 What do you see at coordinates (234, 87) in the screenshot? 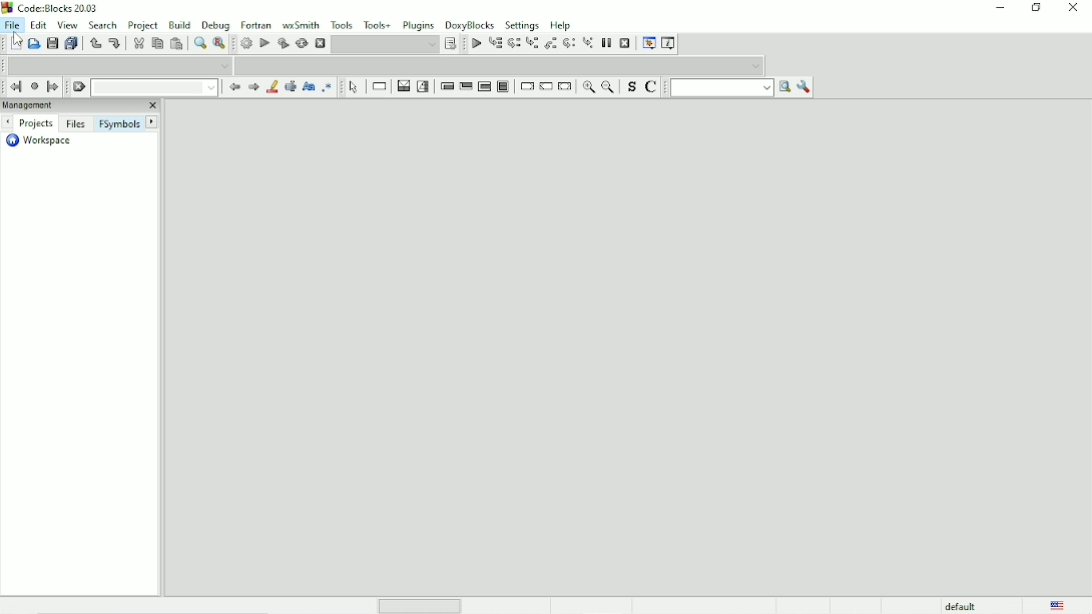
I see `Prev` at bounding box center [234, 87].